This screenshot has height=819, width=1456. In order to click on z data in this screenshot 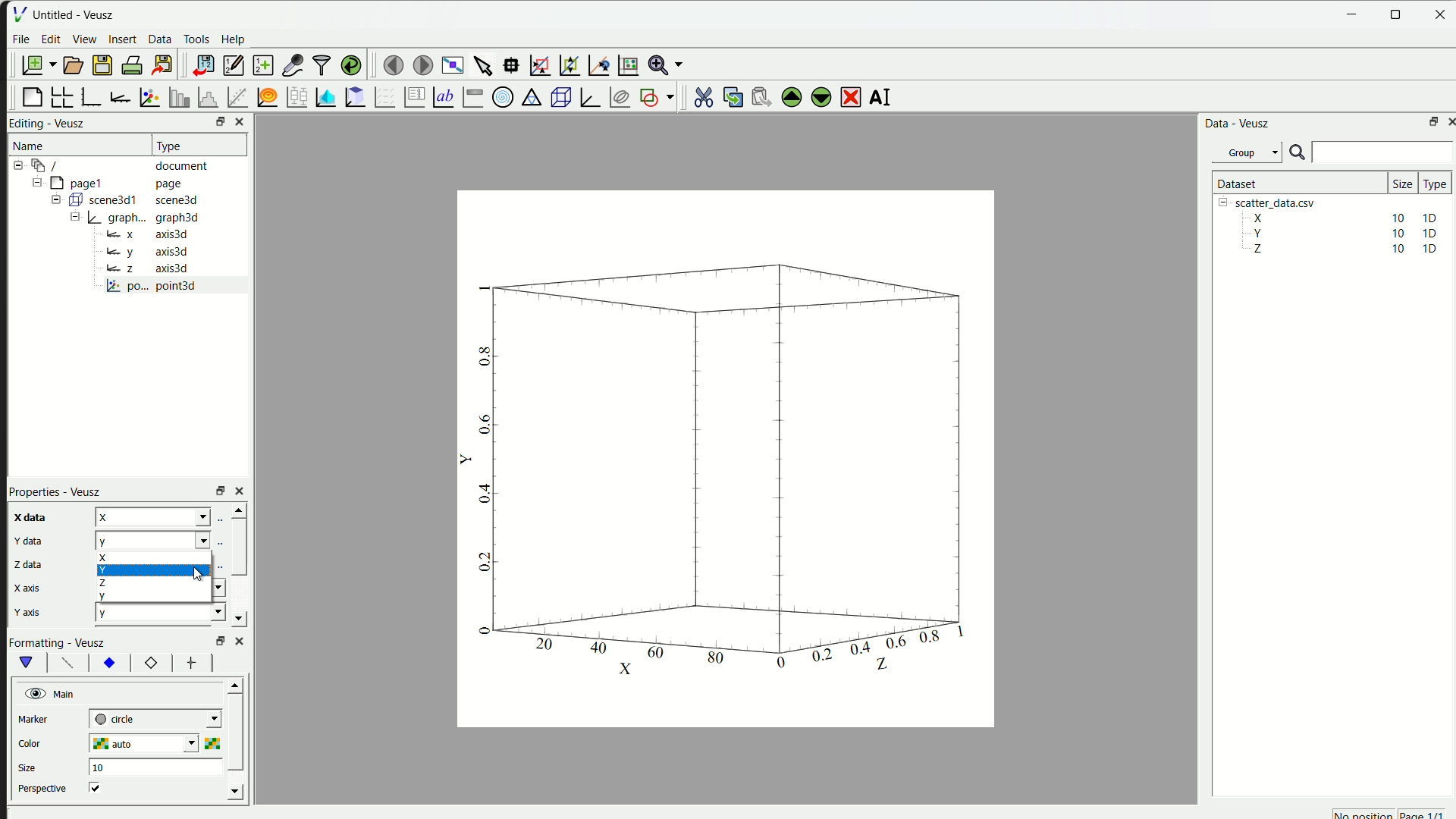, I will do `click(26, 563)`.